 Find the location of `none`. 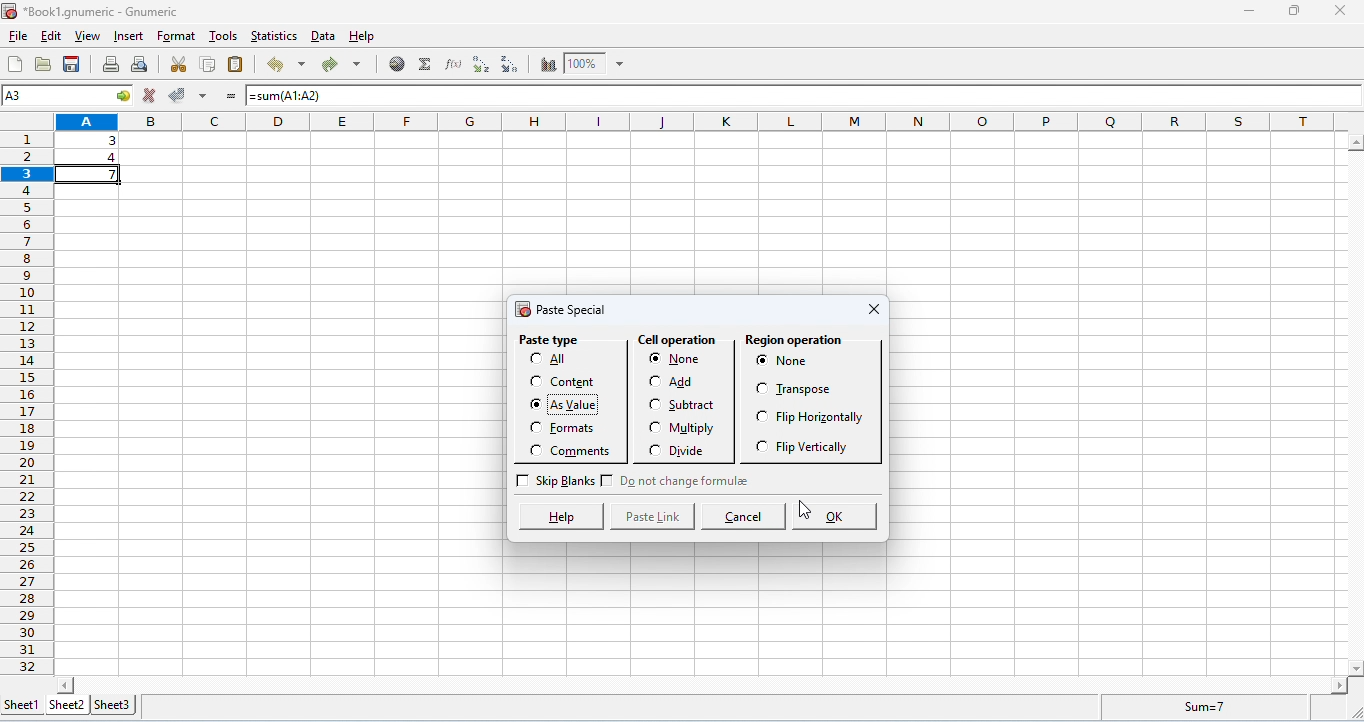

none is located at coordinates (688, 360).